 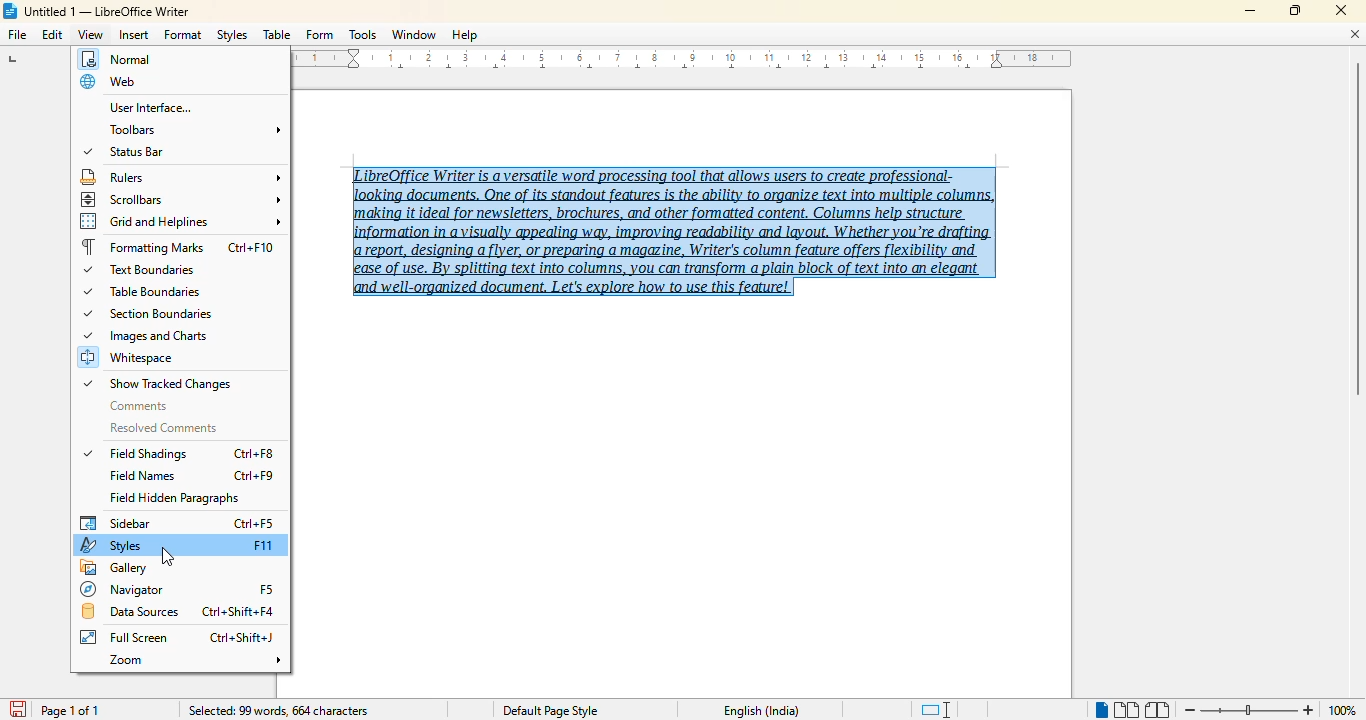 What do you see at coordinates (1250, 707) in the screenshot?
I see `Change zoom level` at bounding box center [1250, 707].